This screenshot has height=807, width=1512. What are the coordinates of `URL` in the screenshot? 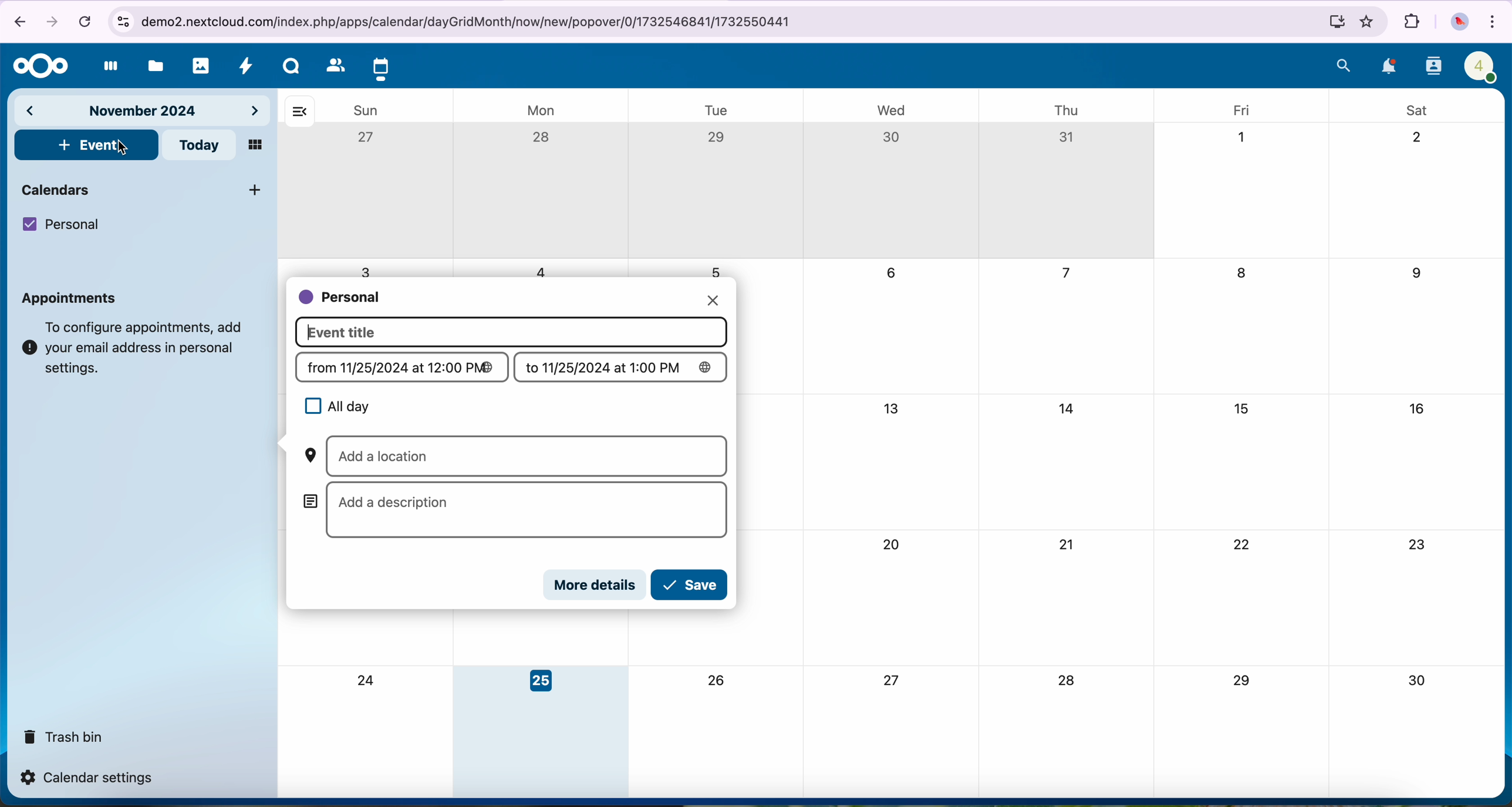 It's located at (471, 21).